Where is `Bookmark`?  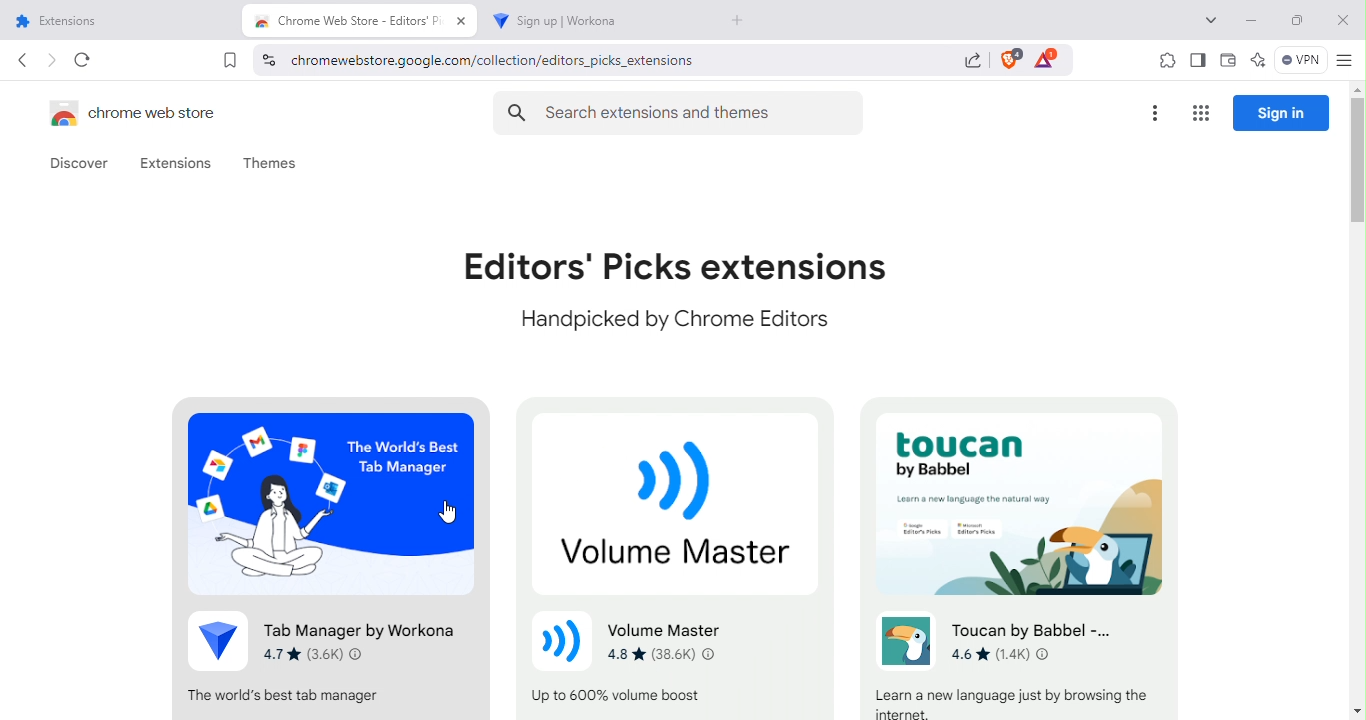 Bookmark is located at coordinates (230, 60).